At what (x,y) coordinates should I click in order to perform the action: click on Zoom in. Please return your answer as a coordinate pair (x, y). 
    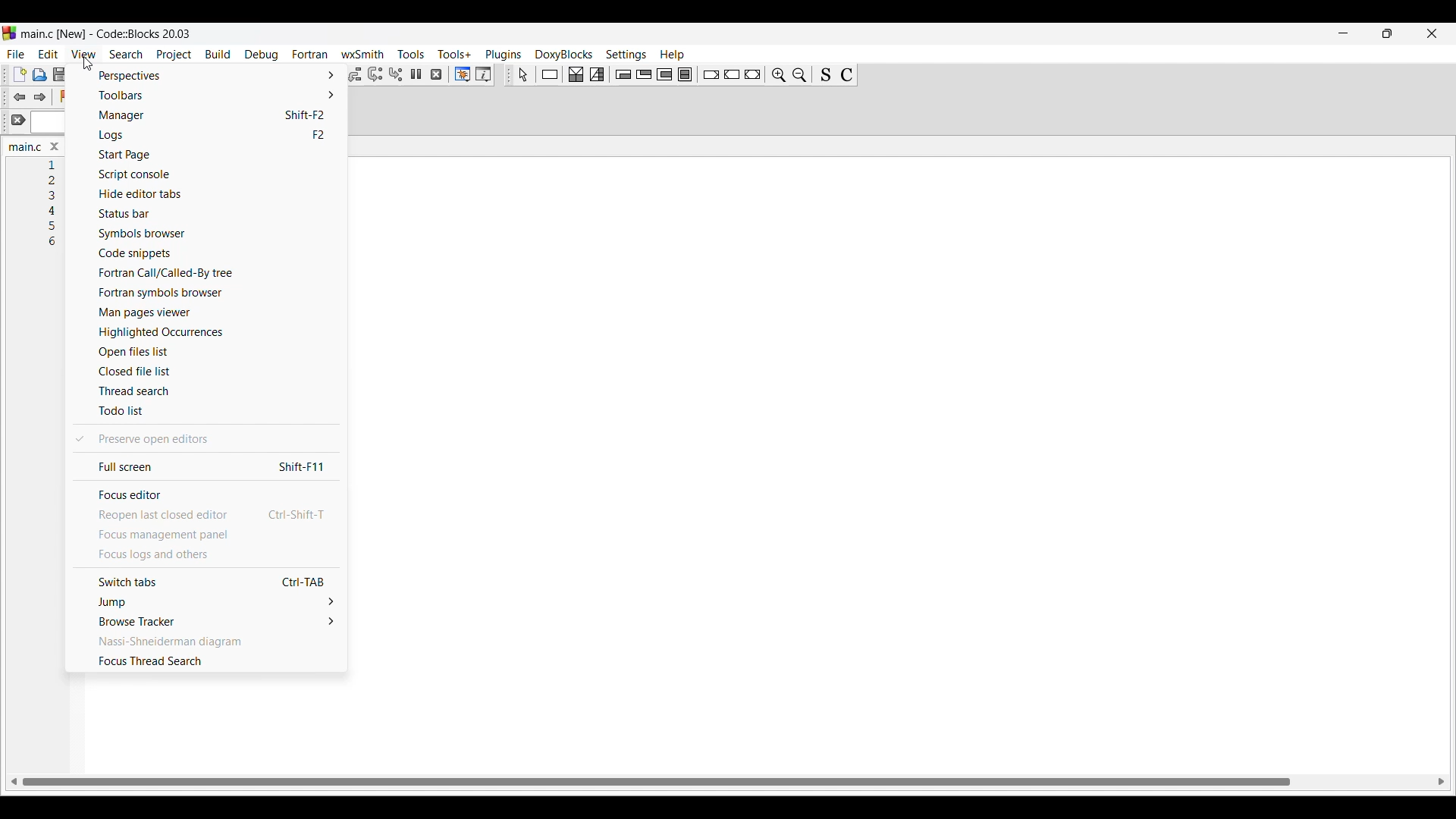
    Looking at the image, I should click on (779, 74).